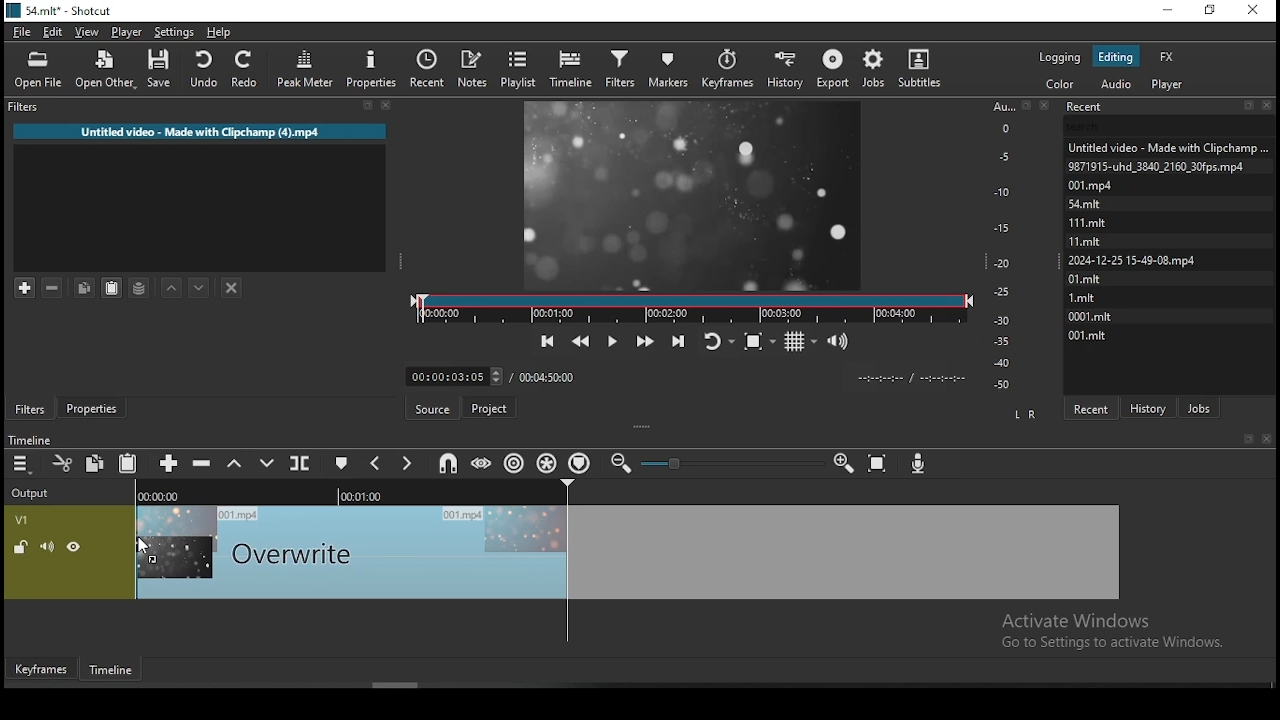  What do you see at coordinates (1246, 438) in the screenshot?
I see `bookmark` at bounding box center [1246, 438].